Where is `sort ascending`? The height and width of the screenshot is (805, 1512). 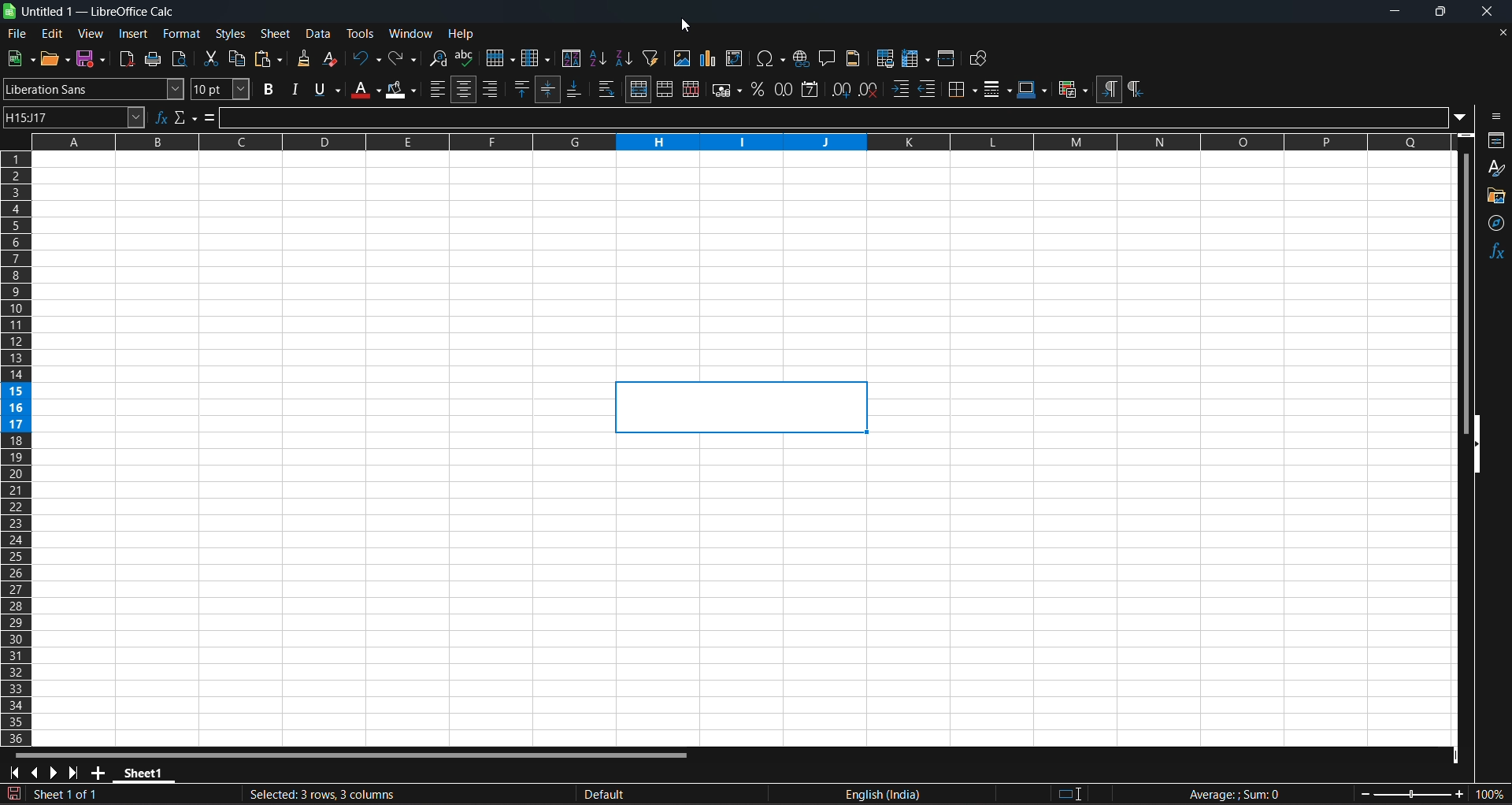
sort ascending is located at coordinates (600, 58).